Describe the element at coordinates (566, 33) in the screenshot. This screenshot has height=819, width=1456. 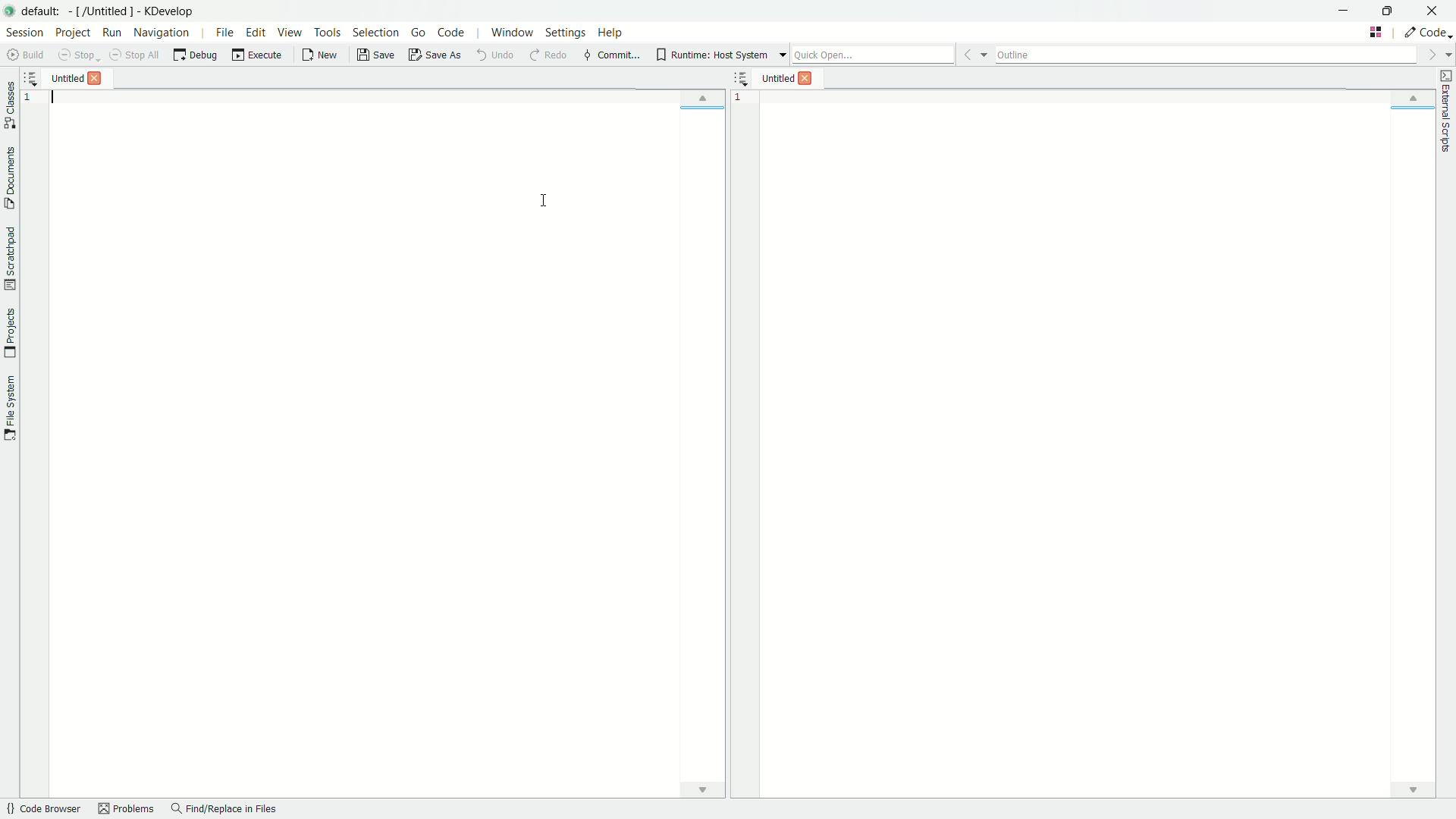
I see `settings menu` at that location.